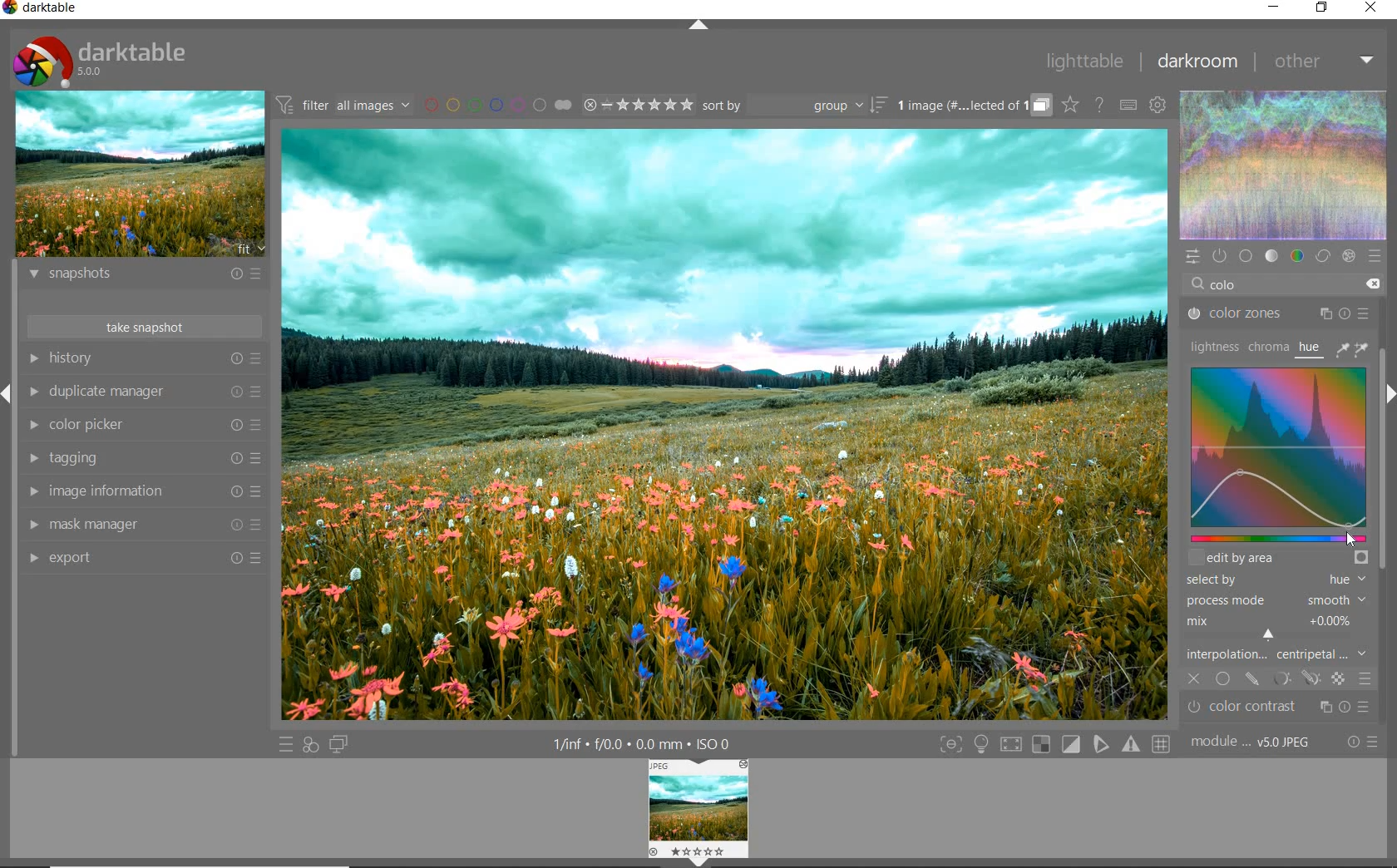  Describe the element at coordinates (793, 107) in the screenshot. I see `sort` at that location.